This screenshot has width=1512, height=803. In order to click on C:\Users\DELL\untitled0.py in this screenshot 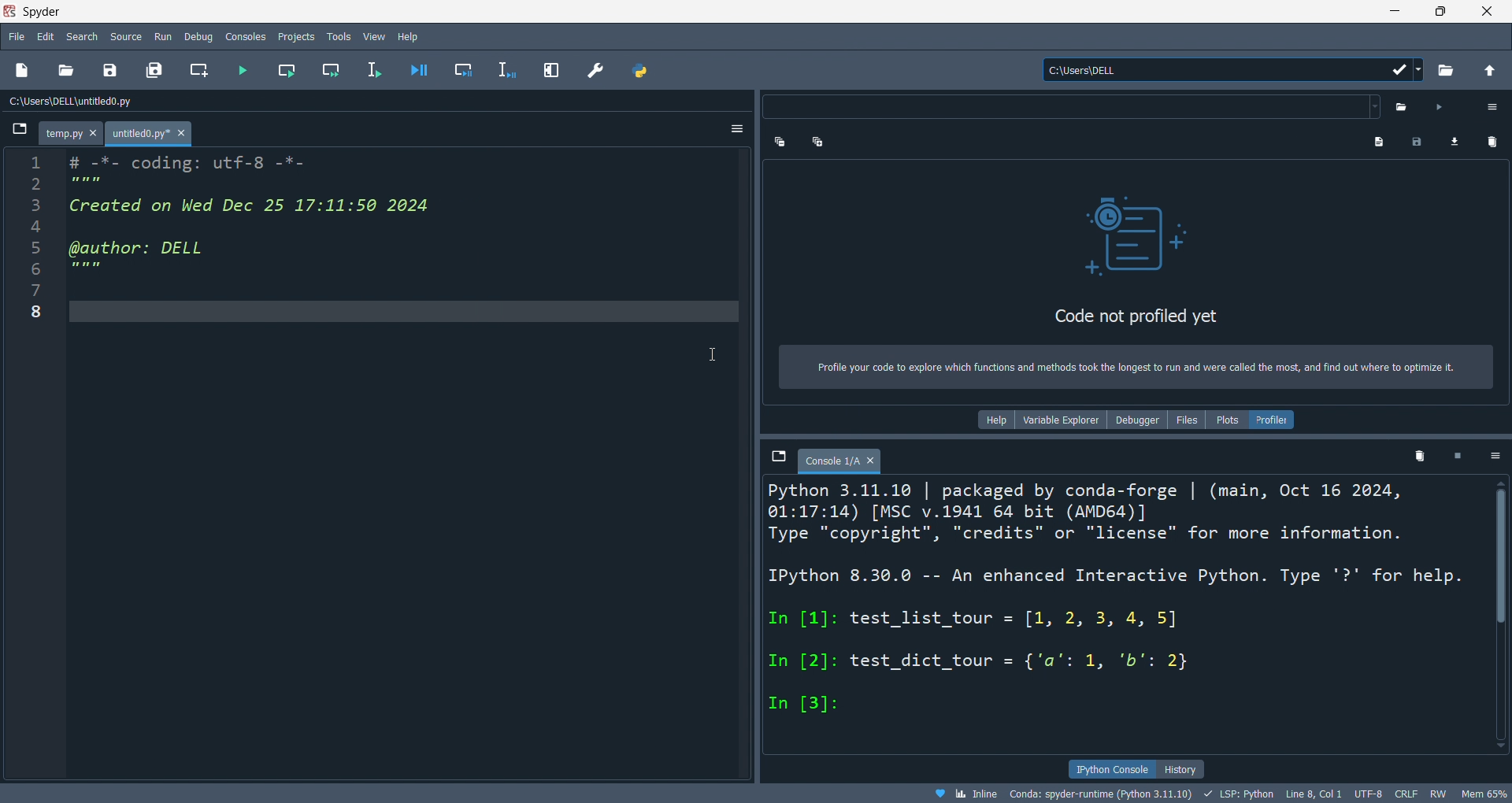, I will do `click(158, 98)`.